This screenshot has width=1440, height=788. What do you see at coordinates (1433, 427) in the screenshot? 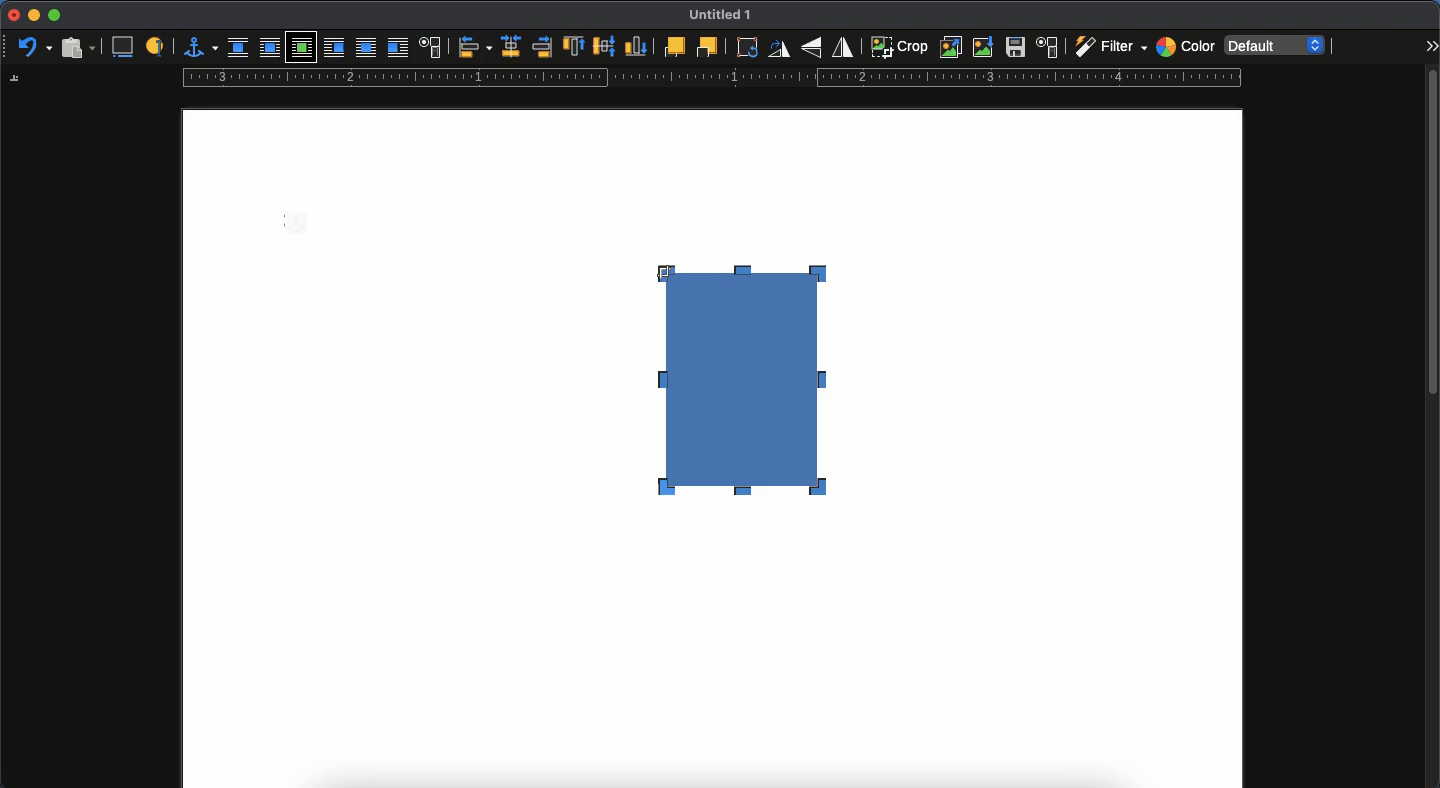
I see `scroll` at bounding box center [1433, 427].